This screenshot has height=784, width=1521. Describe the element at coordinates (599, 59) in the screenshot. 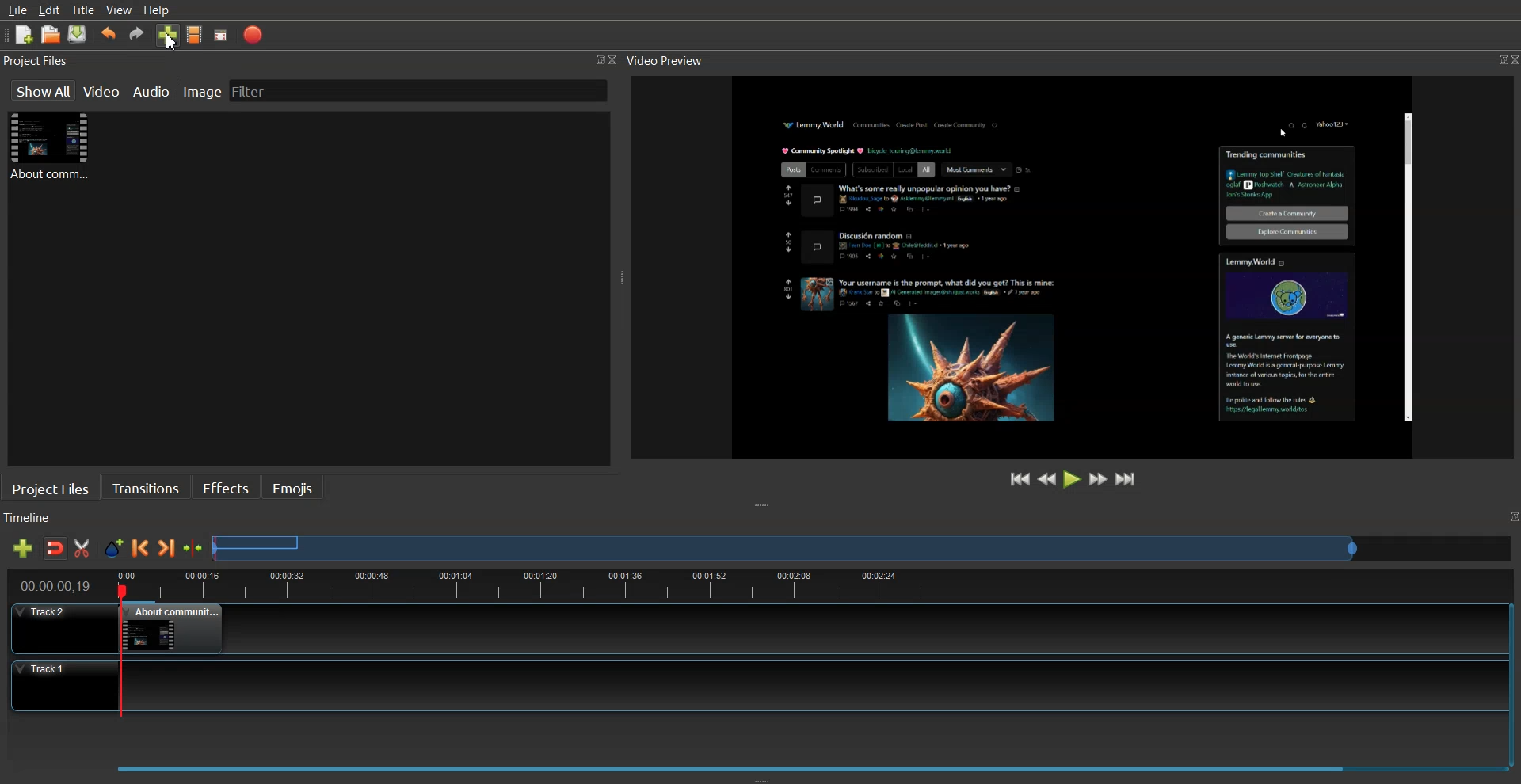

I see `Maximize` at that location.